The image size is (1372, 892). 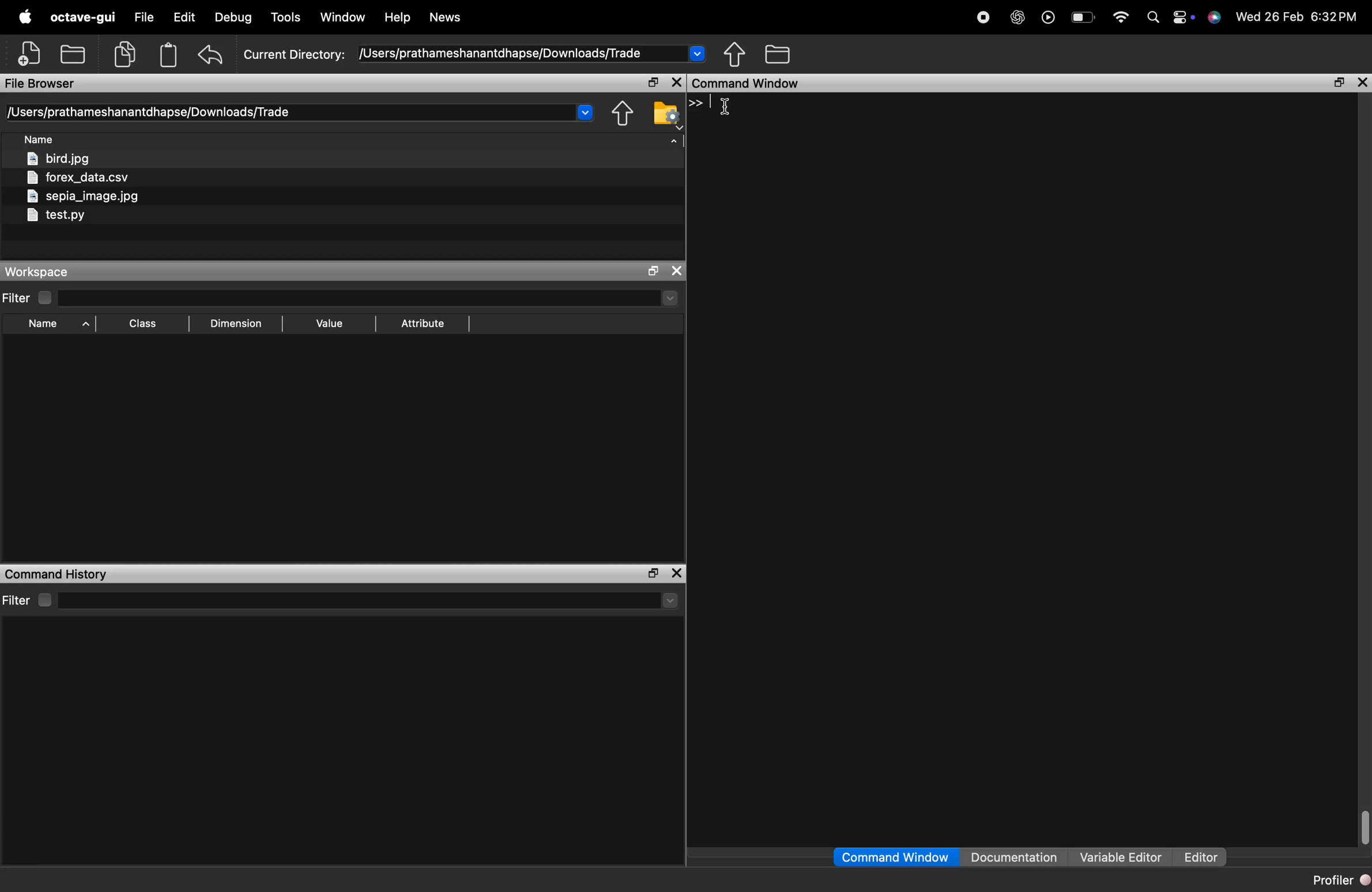 What do you see at coordinates (397, 18) in the screenshot?
I see `help` at bounding box center [397, 18].